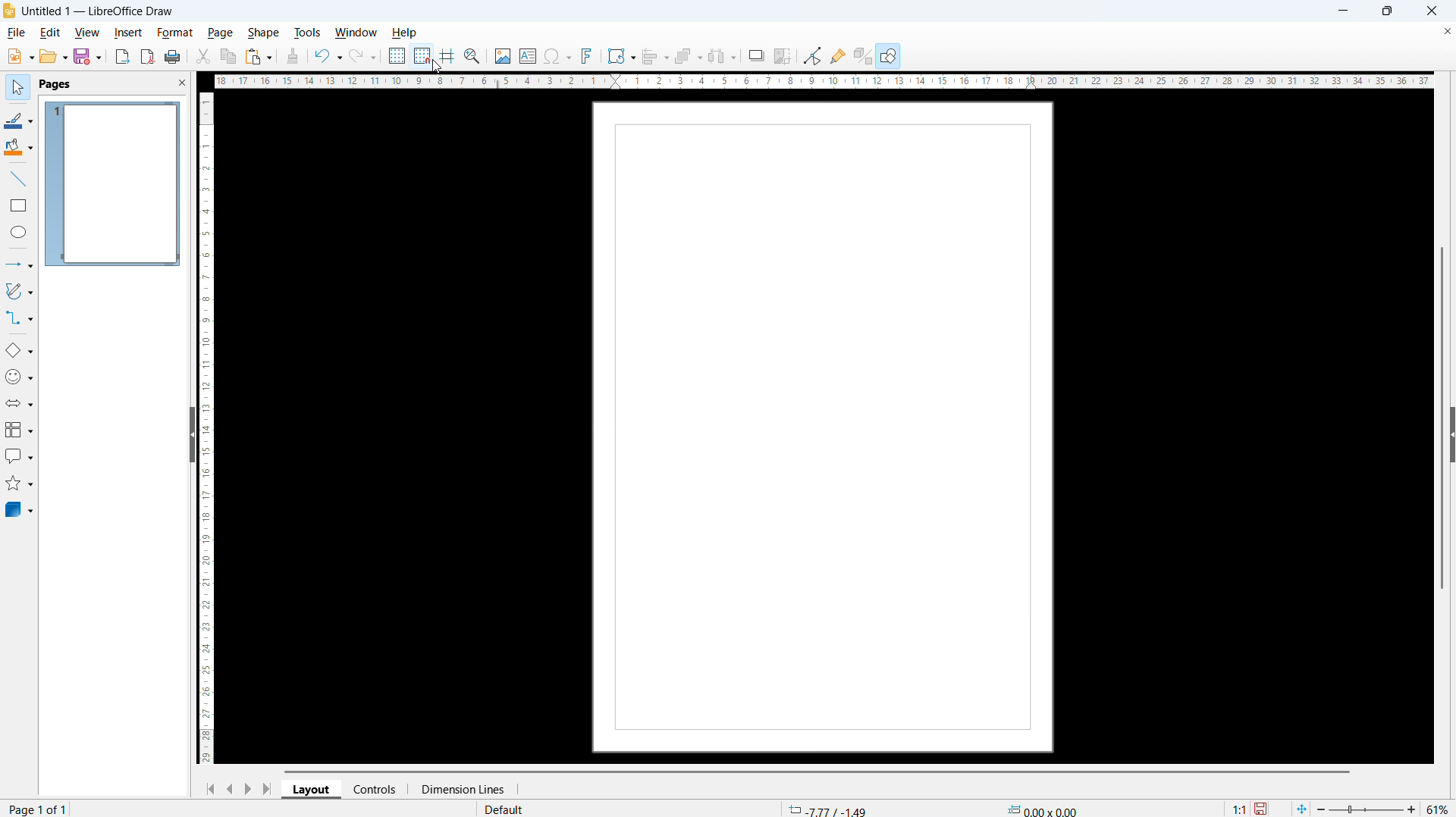 The width and height of the screenshot is (1456, 817). What do you see at coordinates (20, 264) in the screenshot?
I see `line and arrows` at bounding box center [20, 264].